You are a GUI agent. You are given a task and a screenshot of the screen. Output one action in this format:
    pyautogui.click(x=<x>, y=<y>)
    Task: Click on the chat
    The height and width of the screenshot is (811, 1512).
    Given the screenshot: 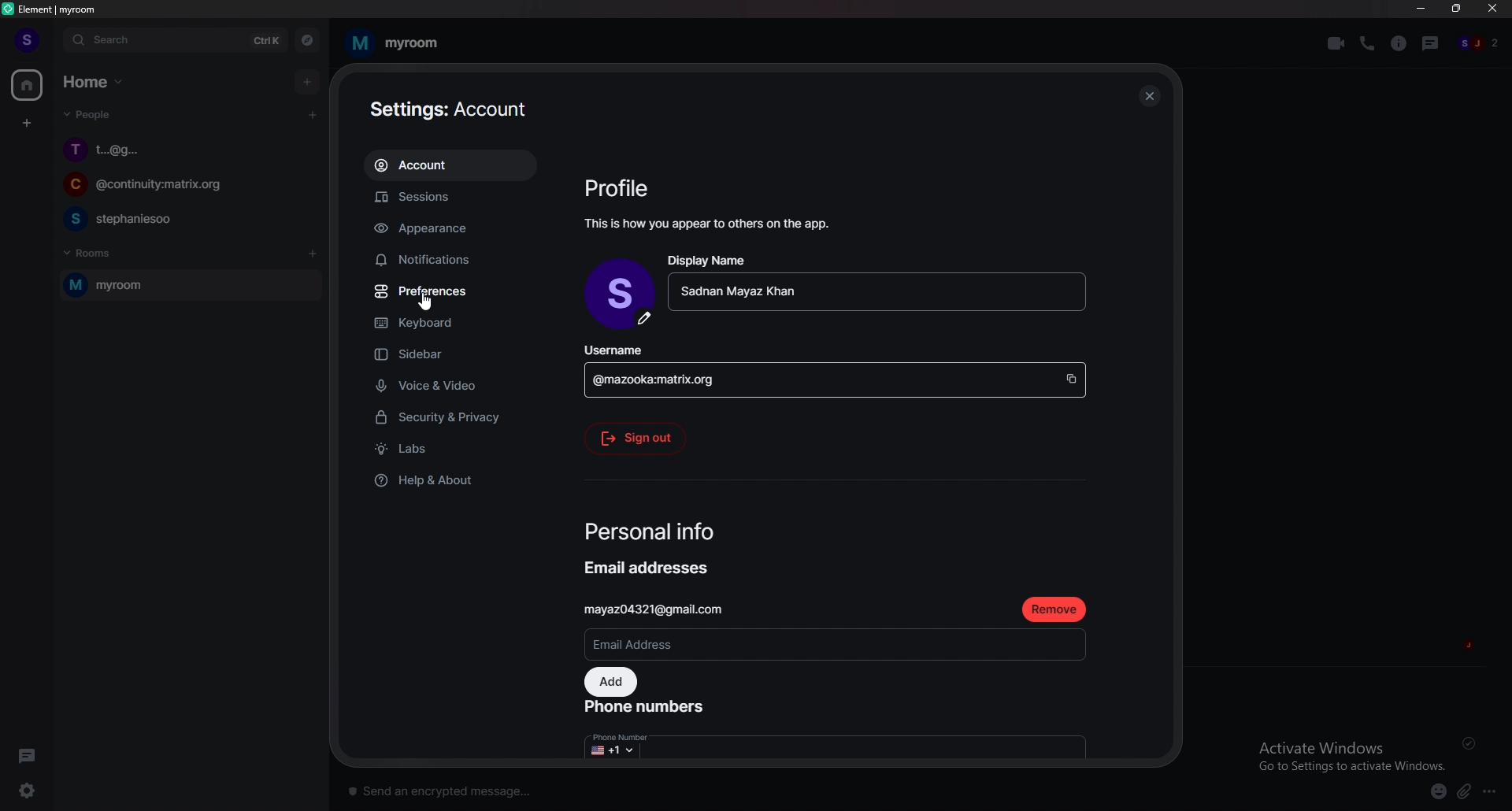 What is the action you would take?
    pyautogui.click(x=188, y=149)
    